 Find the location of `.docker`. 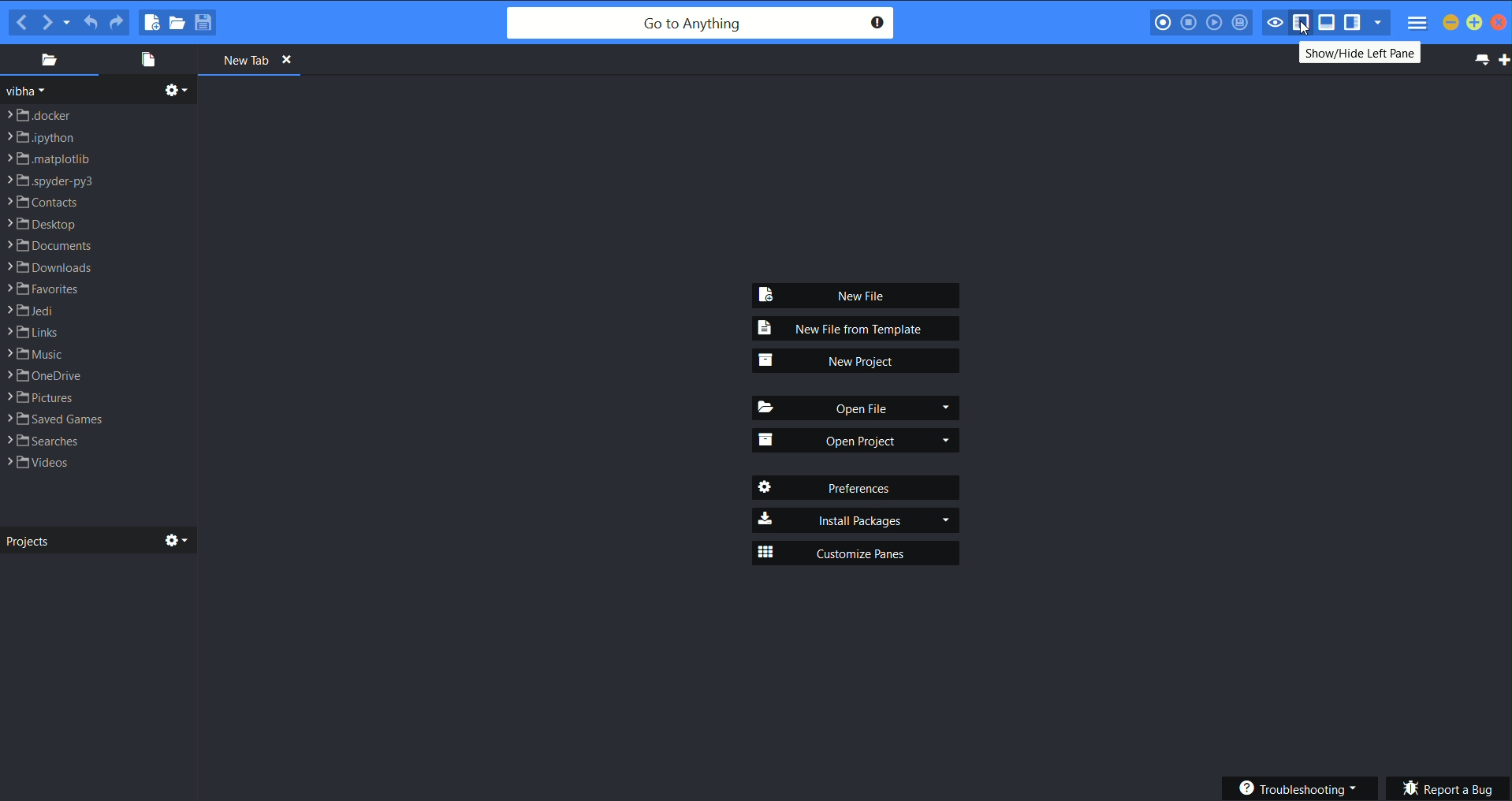

.docker is located at coordinates (37, 114).